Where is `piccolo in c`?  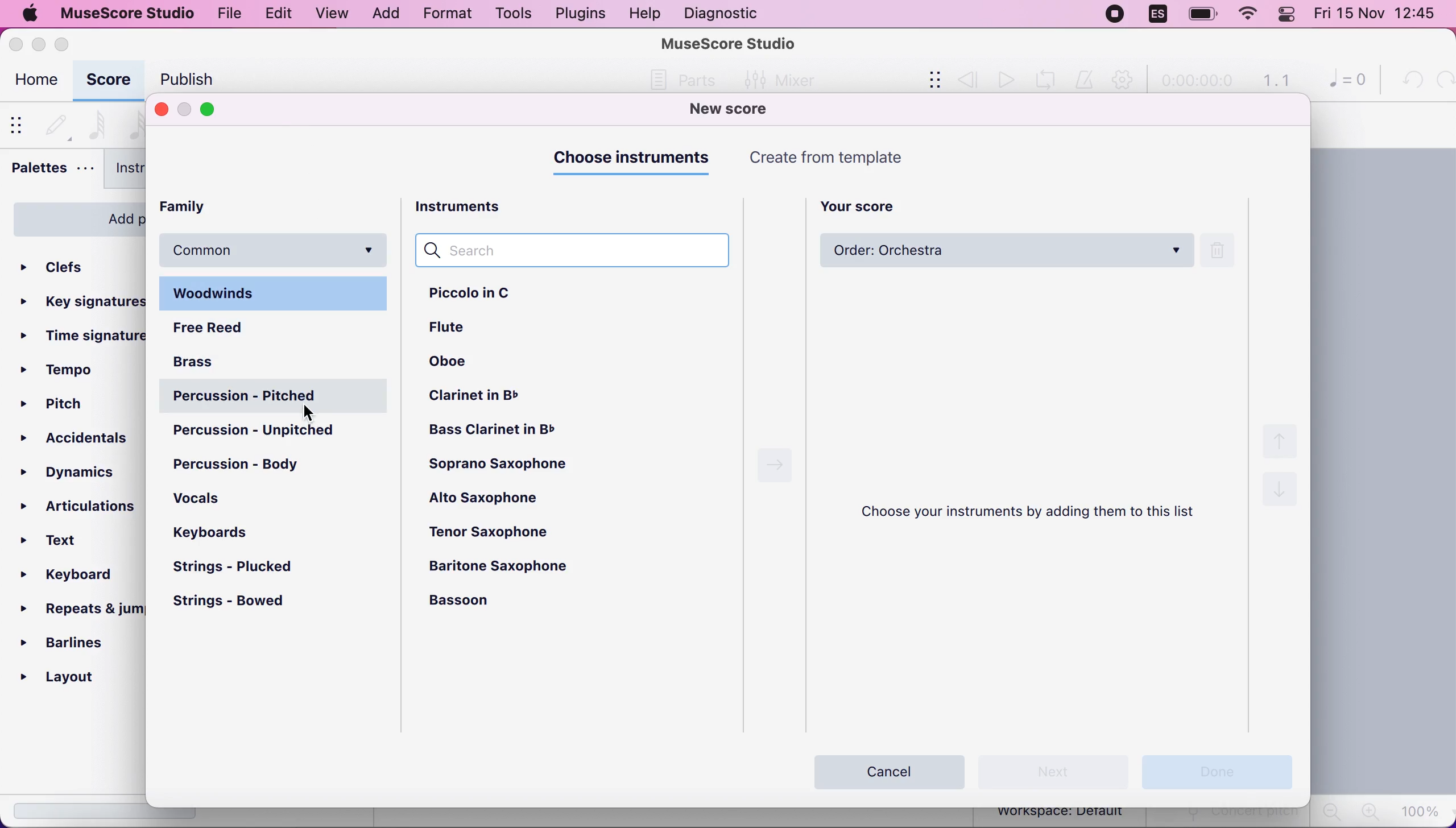
piccolo in c is located at coordinates (481, 297).